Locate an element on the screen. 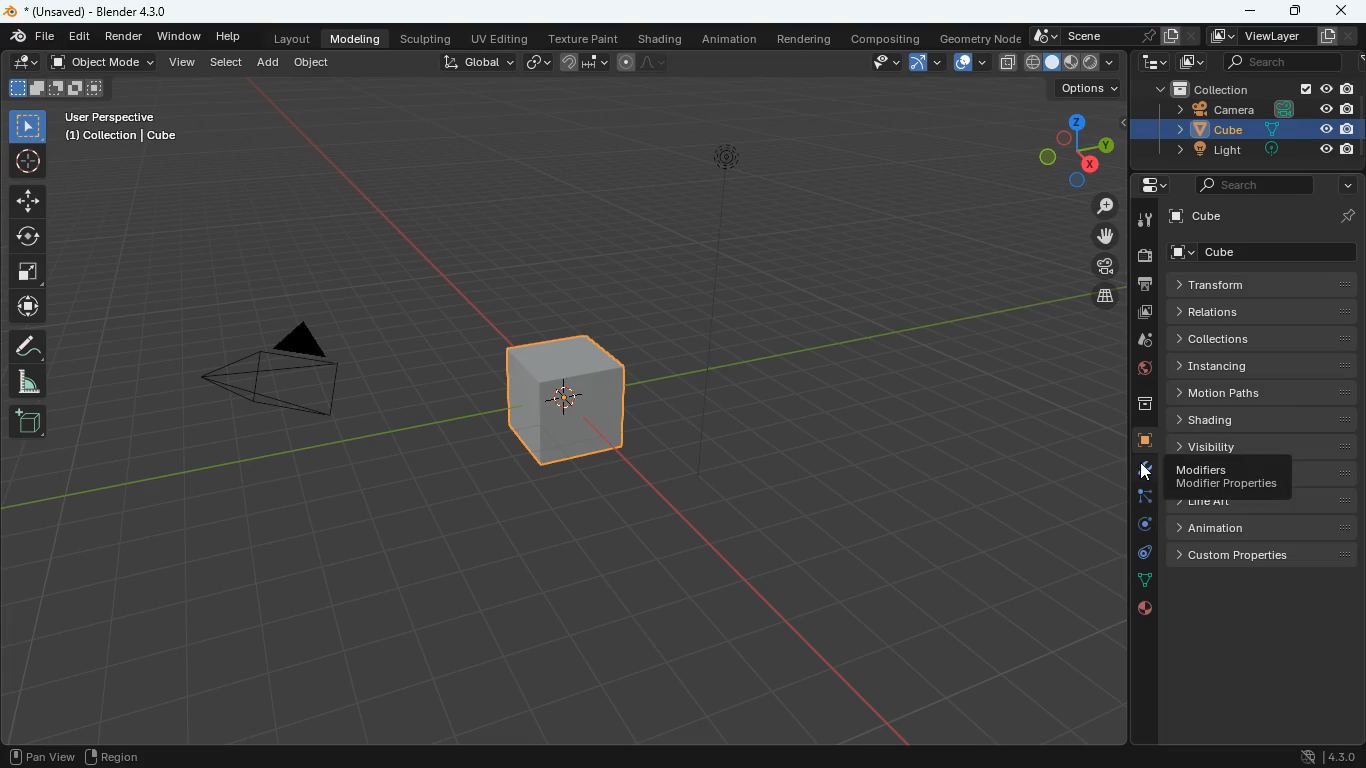 Image resolution: width=1366 pixels, height=768 pixels. animation is located at coordinates (730, 42).